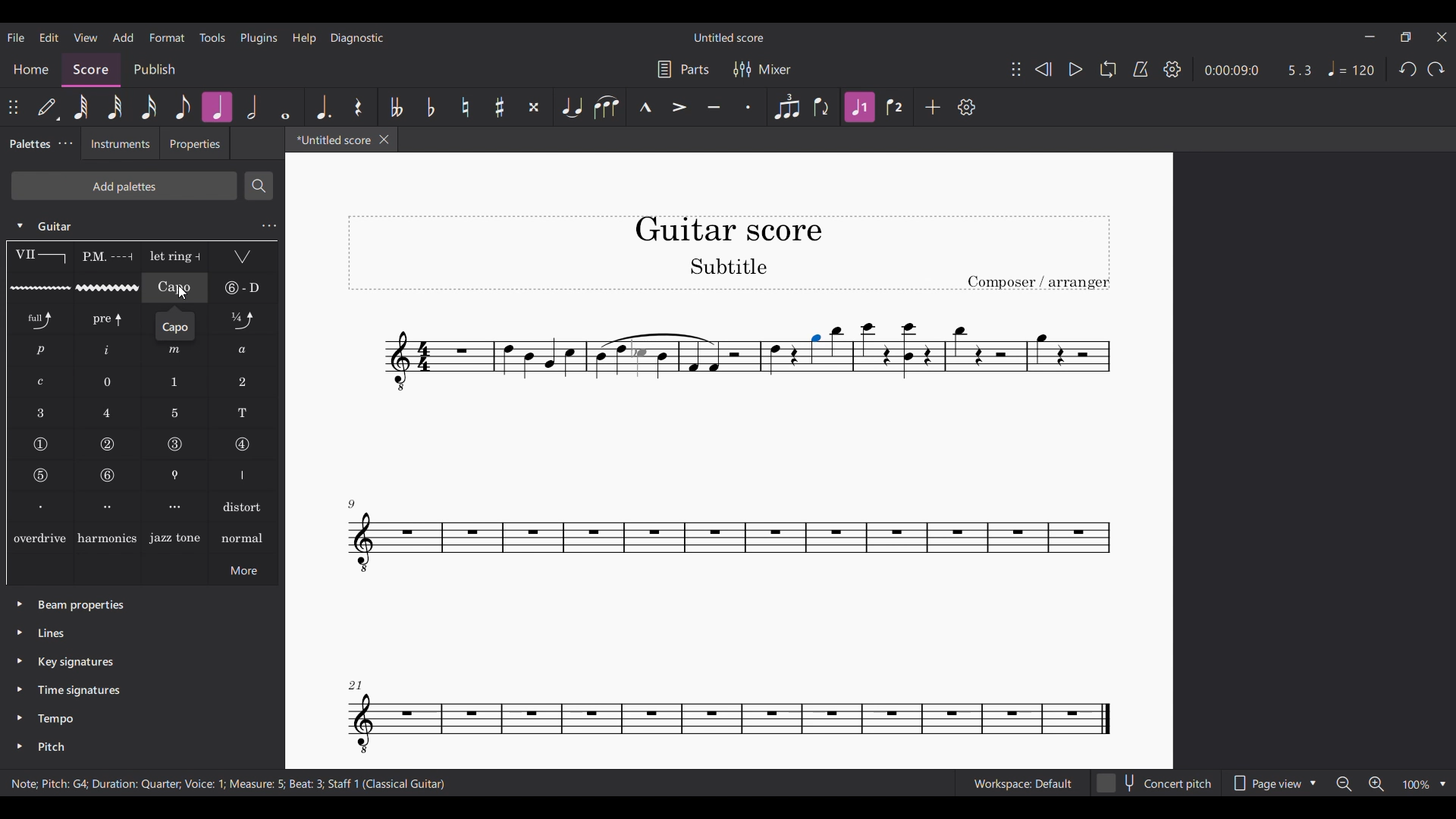  What do you see at coordinates (1043, 69) in the screenshot?
I see `Rewind` at bounding box center [1043, 69].